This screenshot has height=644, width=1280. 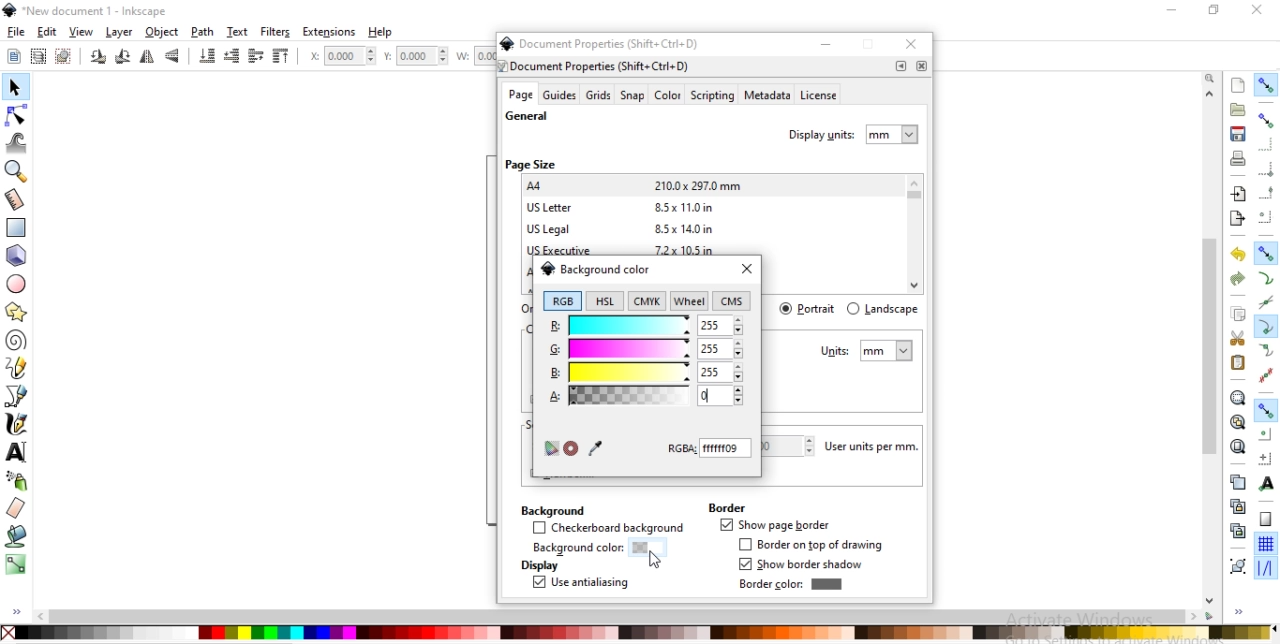 I want to click on create a duplicate, so click(x=1238, y=483).